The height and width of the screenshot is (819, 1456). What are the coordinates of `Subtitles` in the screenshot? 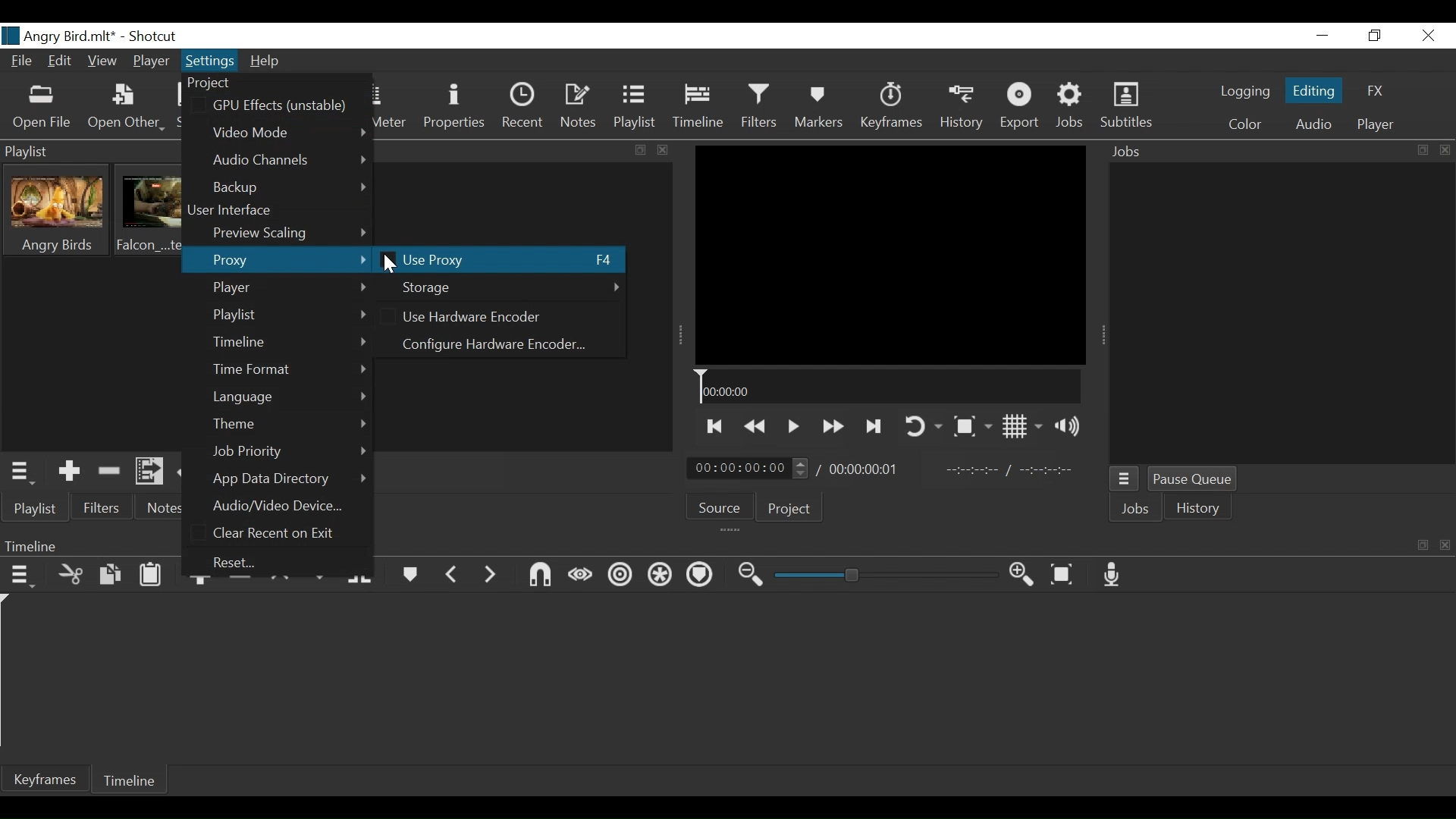 It's located at (1127, 106).